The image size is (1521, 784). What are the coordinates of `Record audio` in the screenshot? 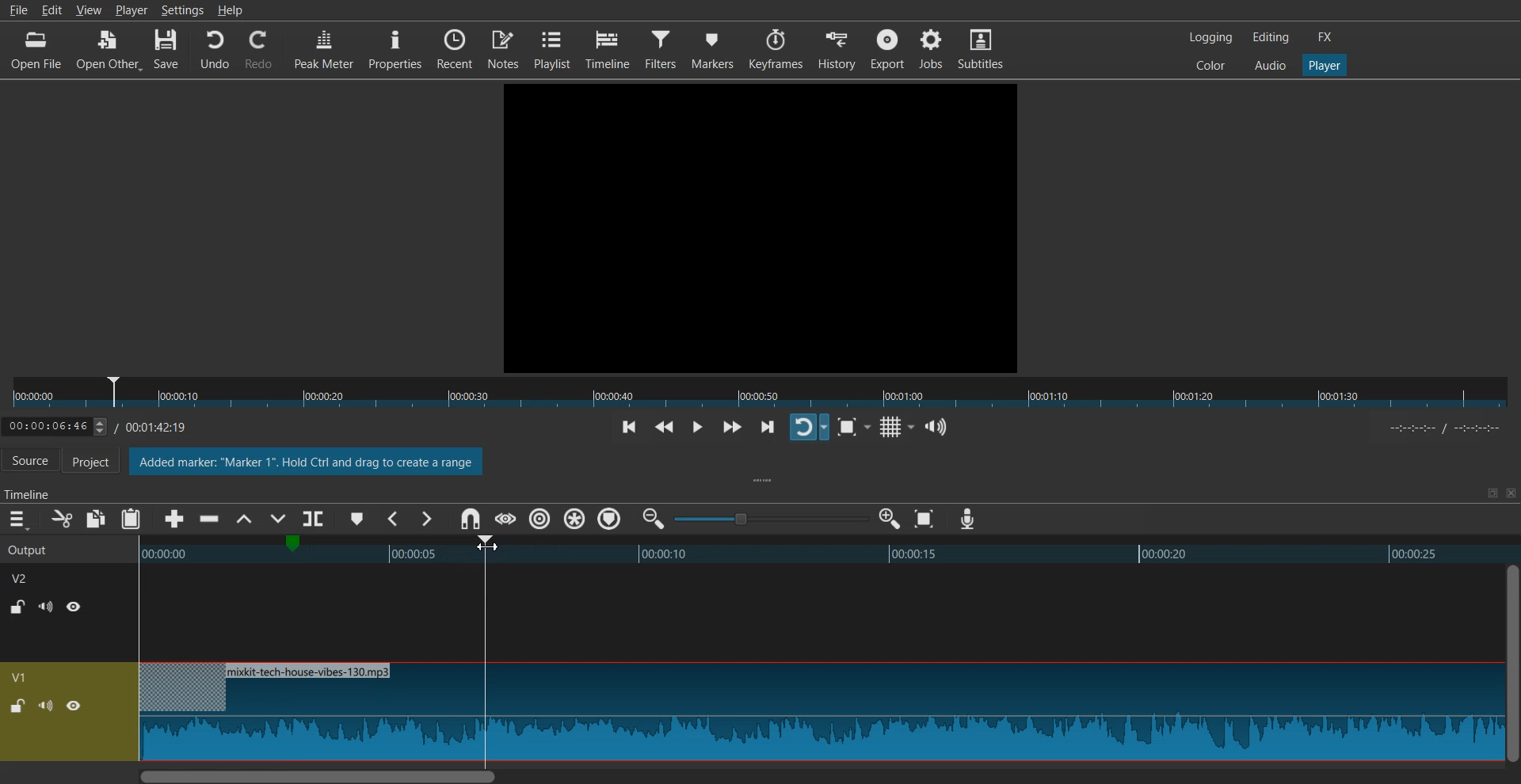 It's located at (966, 519).